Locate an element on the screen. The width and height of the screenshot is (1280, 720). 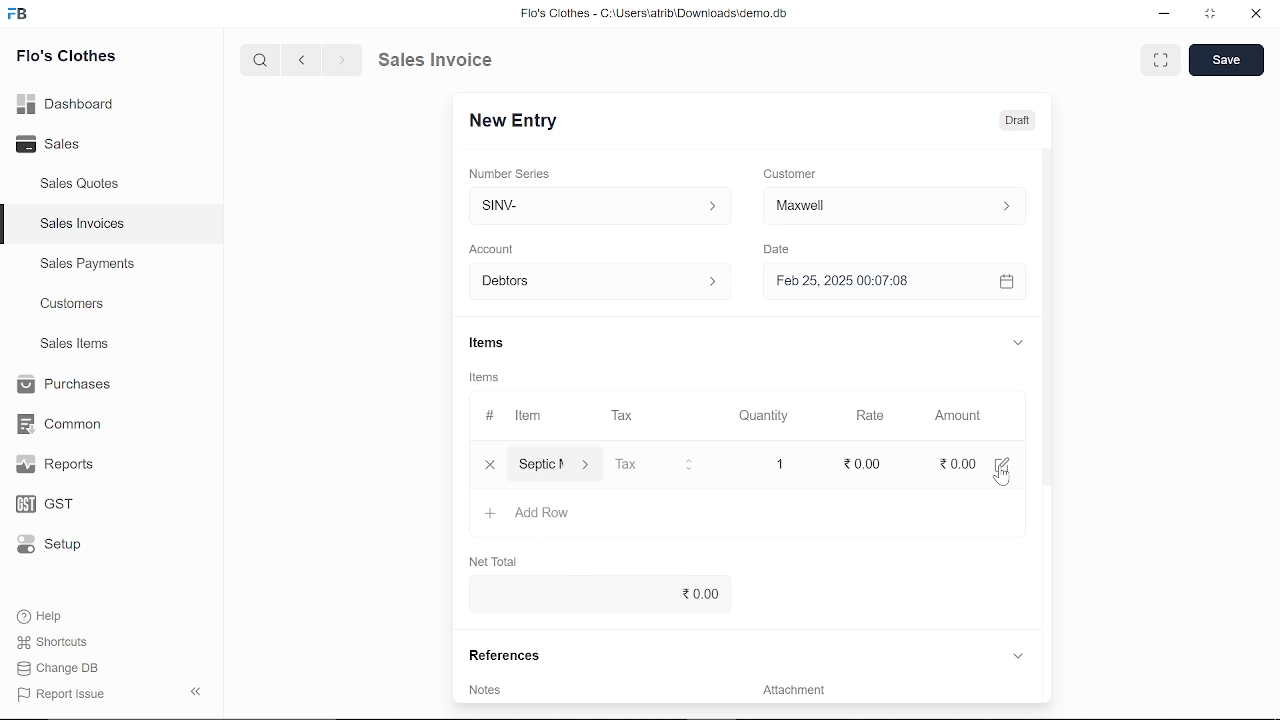
Net Total is located at coordinates (494, 561).